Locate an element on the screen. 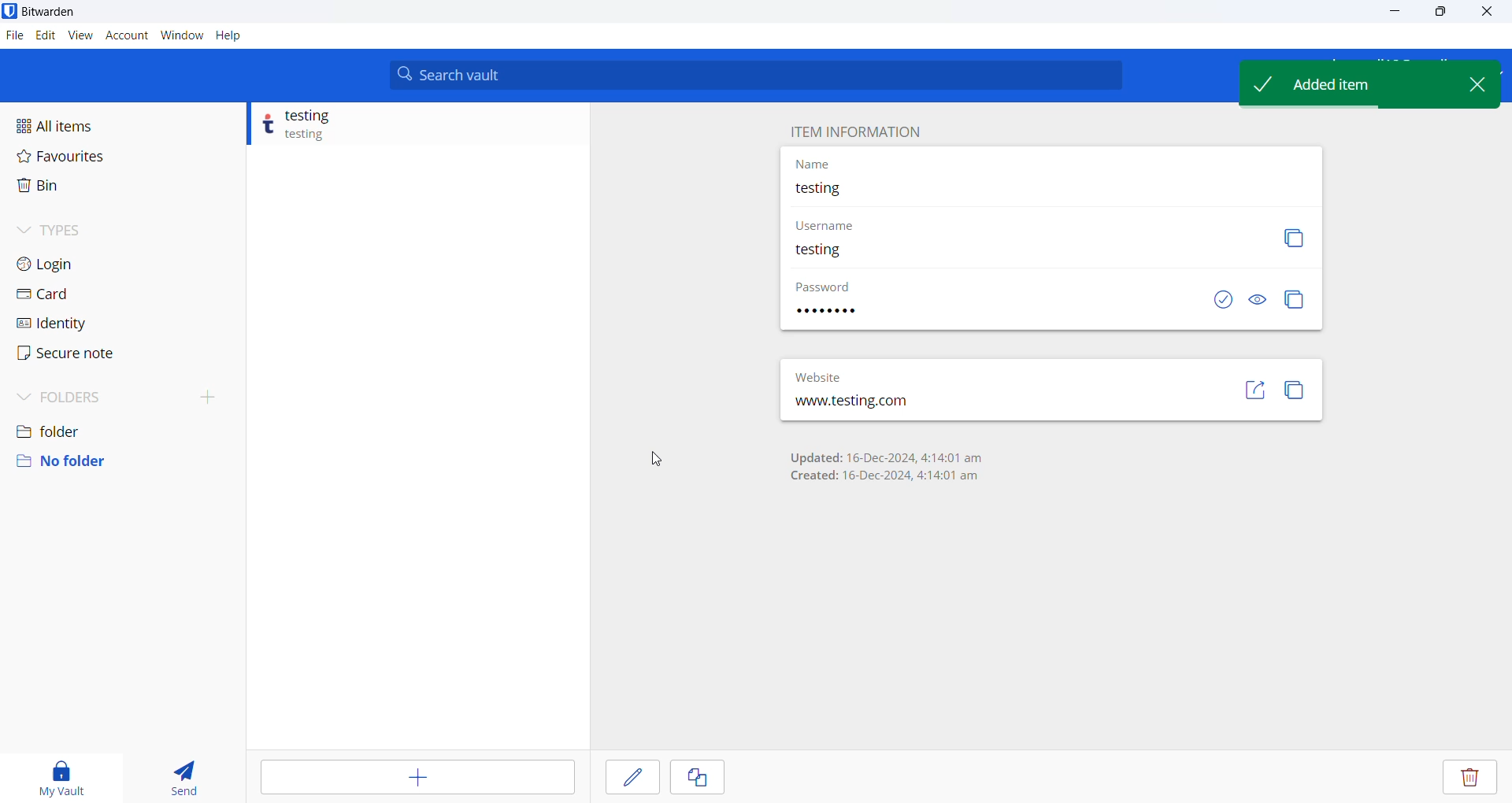 The height and width of the screenshot is (803, 1512). secure note is located at coordinates (80, 354).